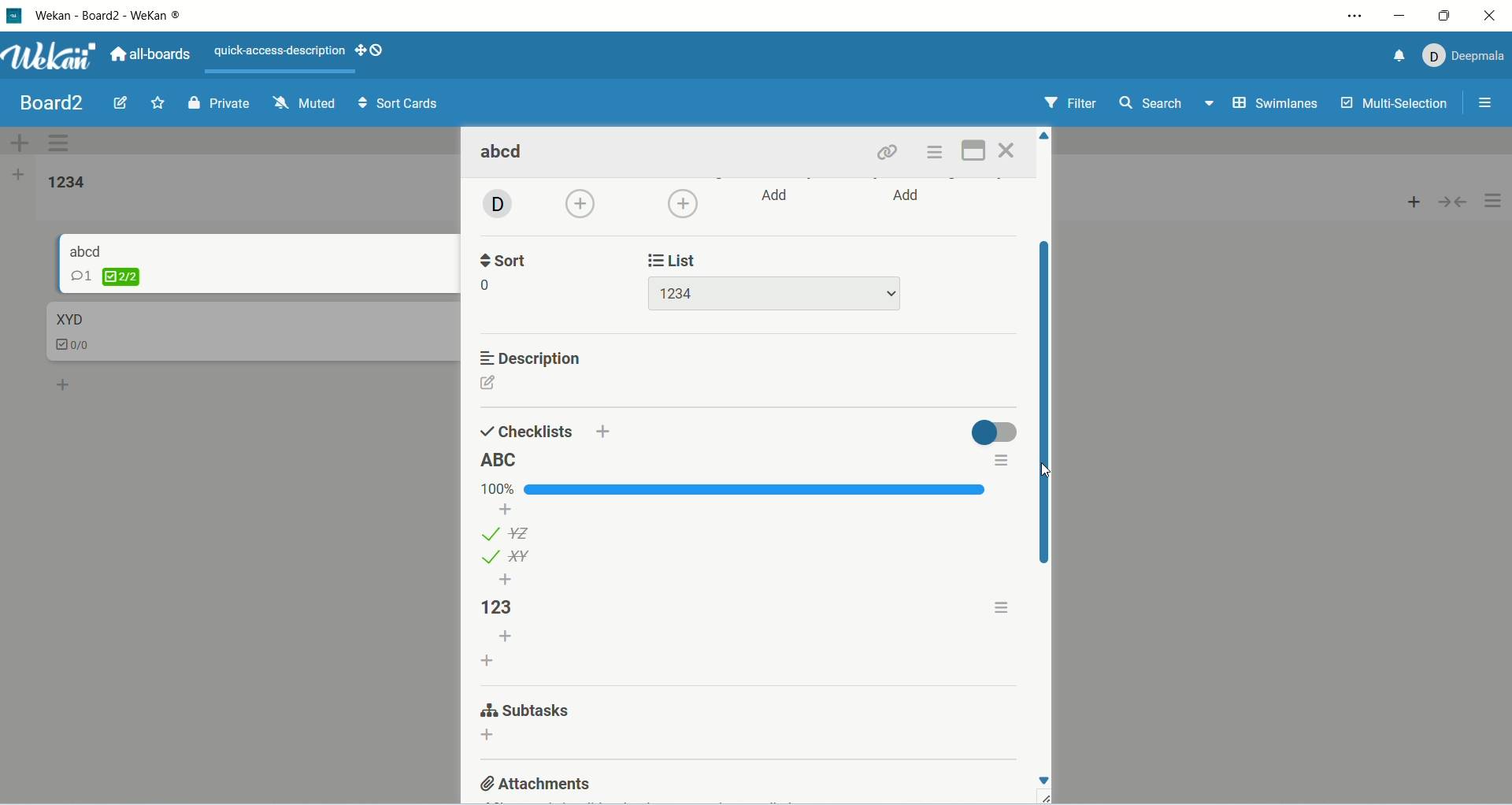 The image size is (1512, 805). Describe the element at coordinates (1043, 403) in the screenshot. I see `vertical scroll bar` at that location.